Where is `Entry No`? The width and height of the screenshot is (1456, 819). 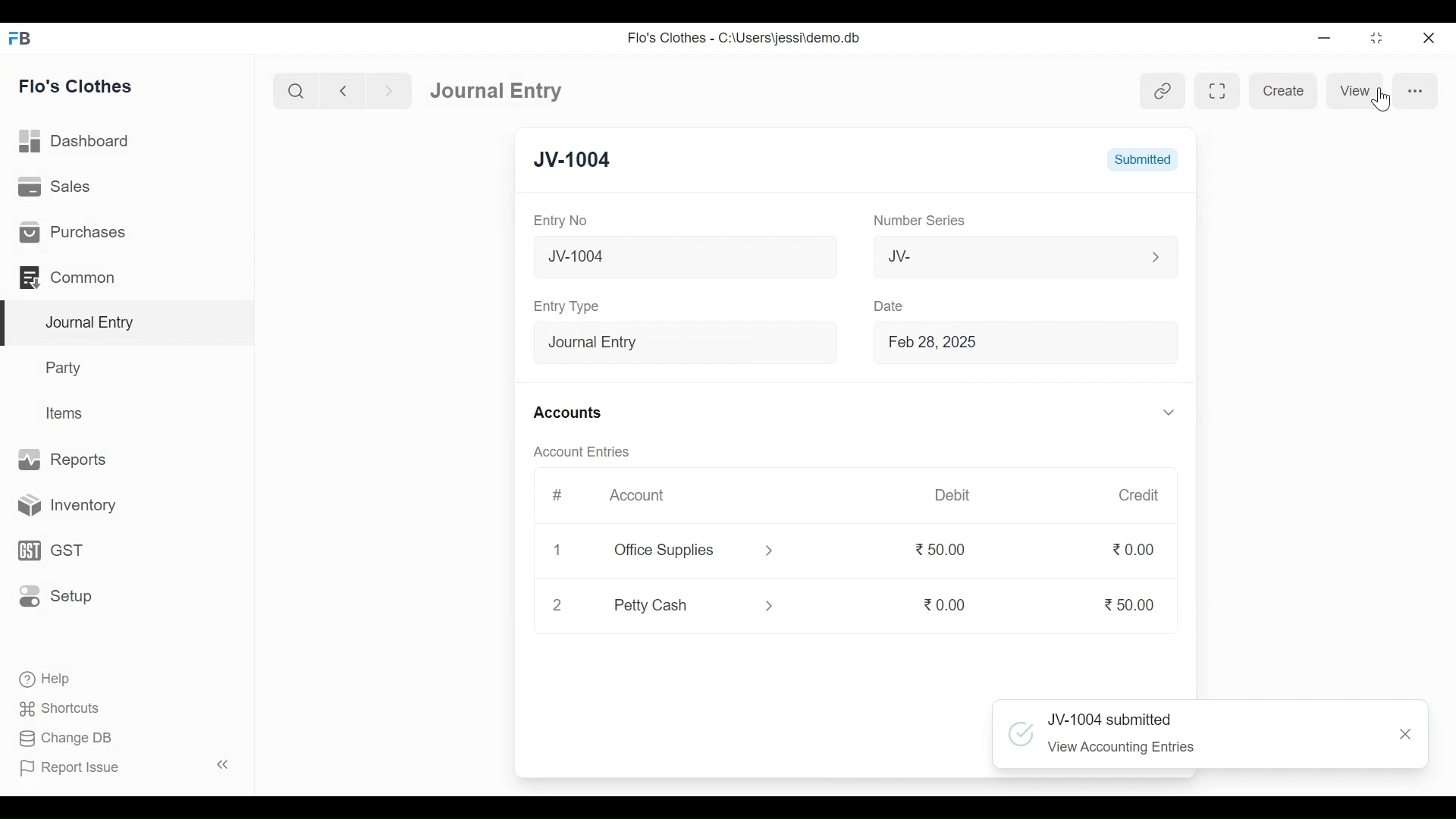 Entry No is located at coordinates (560, 220).